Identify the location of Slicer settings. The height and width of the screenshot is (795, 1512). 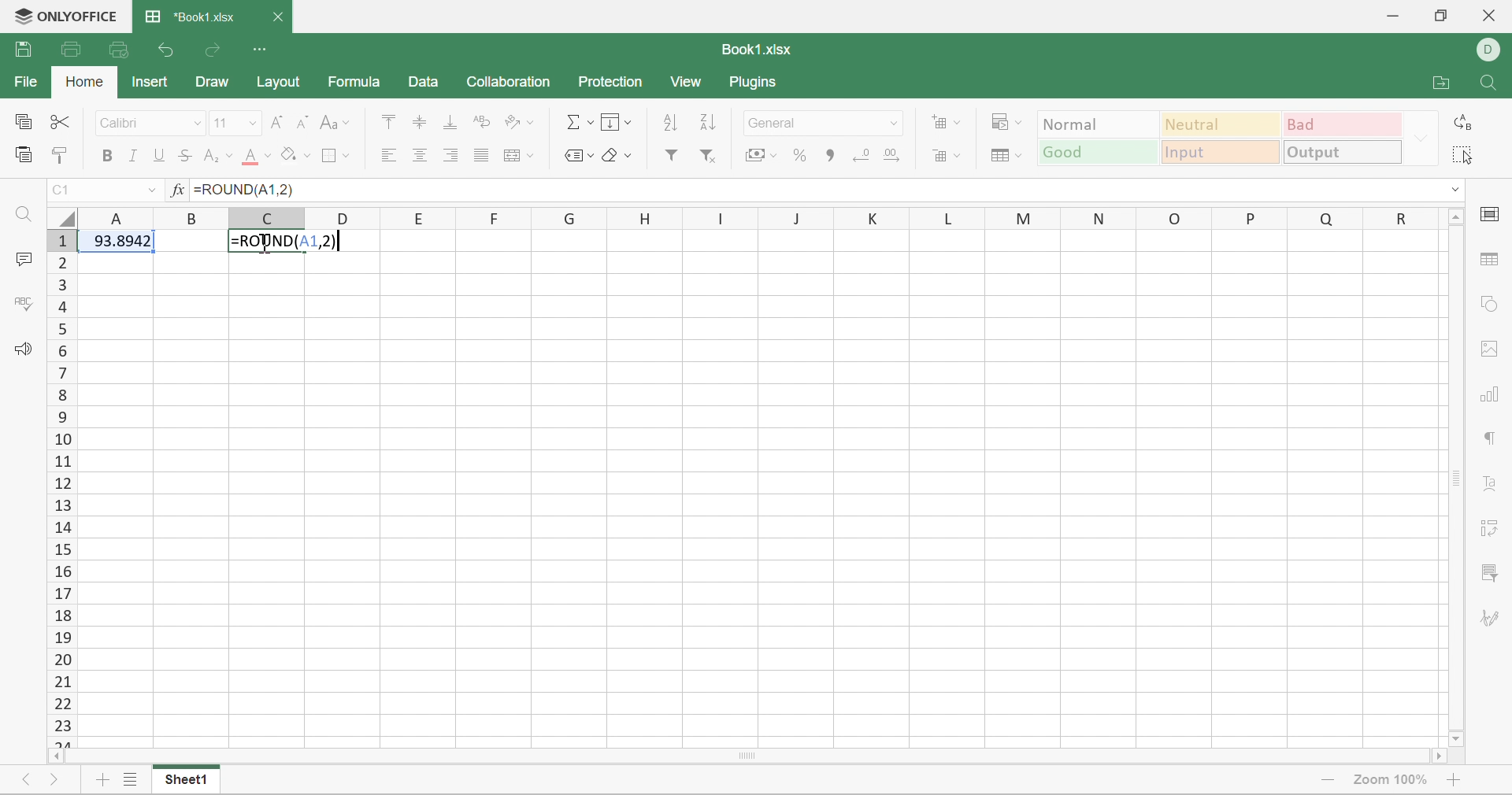
(1488, 571).